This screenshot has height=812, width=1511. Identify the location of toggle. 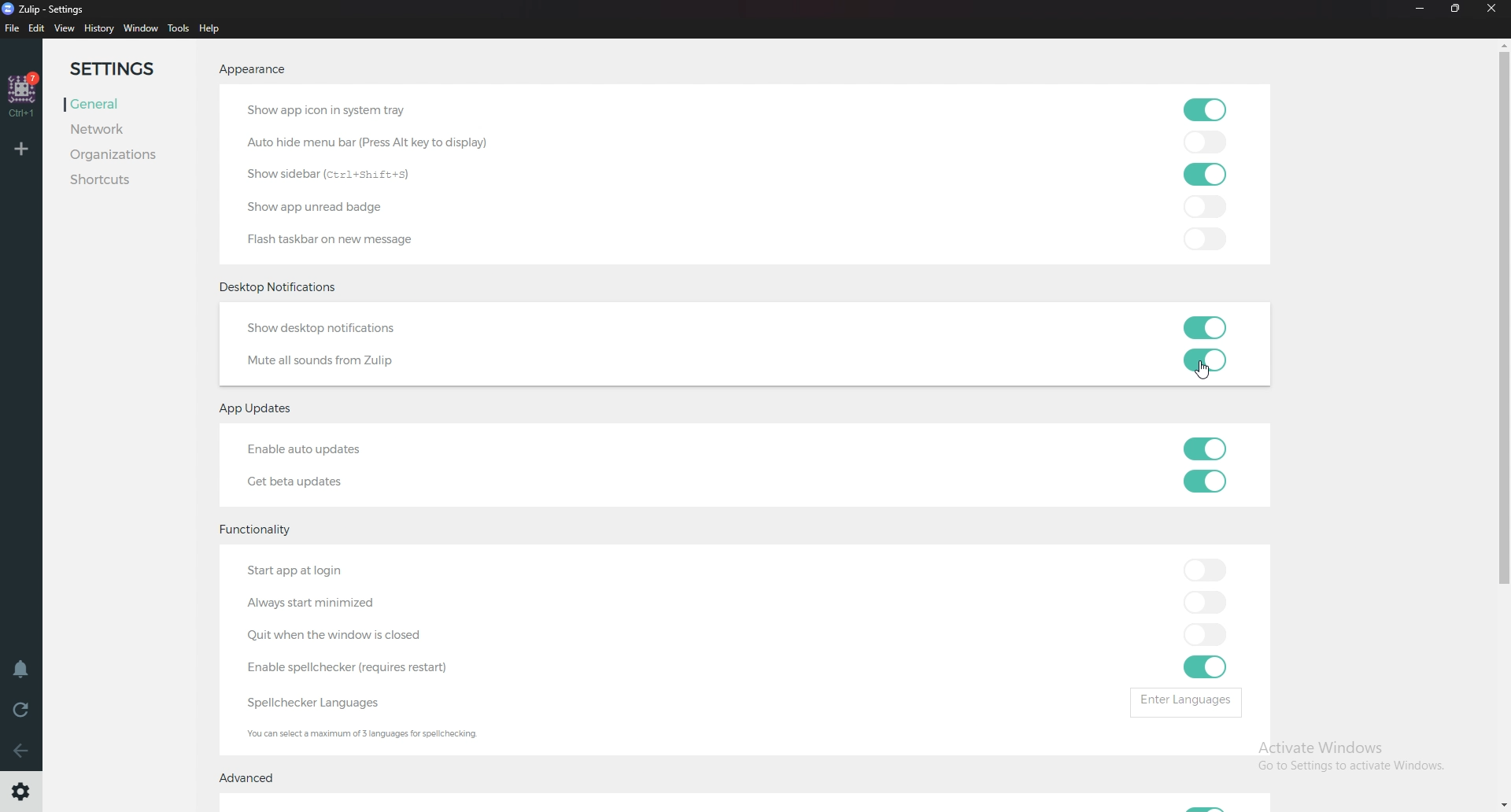
(1206, 361).